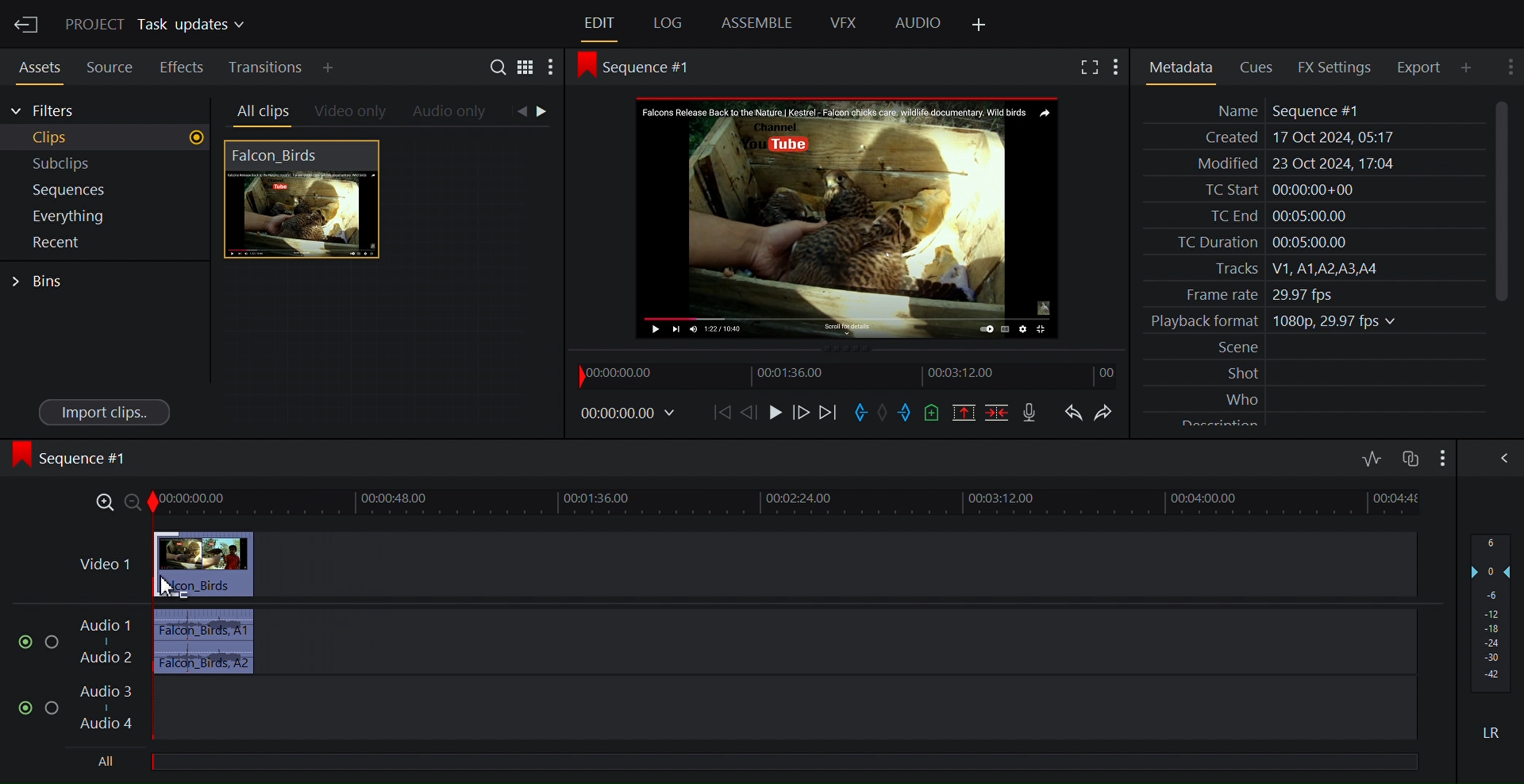 Image resolution: width=1524 pixels, height=784 pixels. What do you see at coordinates (1261, 66) in the screenshot?
I see `Cues` at bounding box center [1261, 66].